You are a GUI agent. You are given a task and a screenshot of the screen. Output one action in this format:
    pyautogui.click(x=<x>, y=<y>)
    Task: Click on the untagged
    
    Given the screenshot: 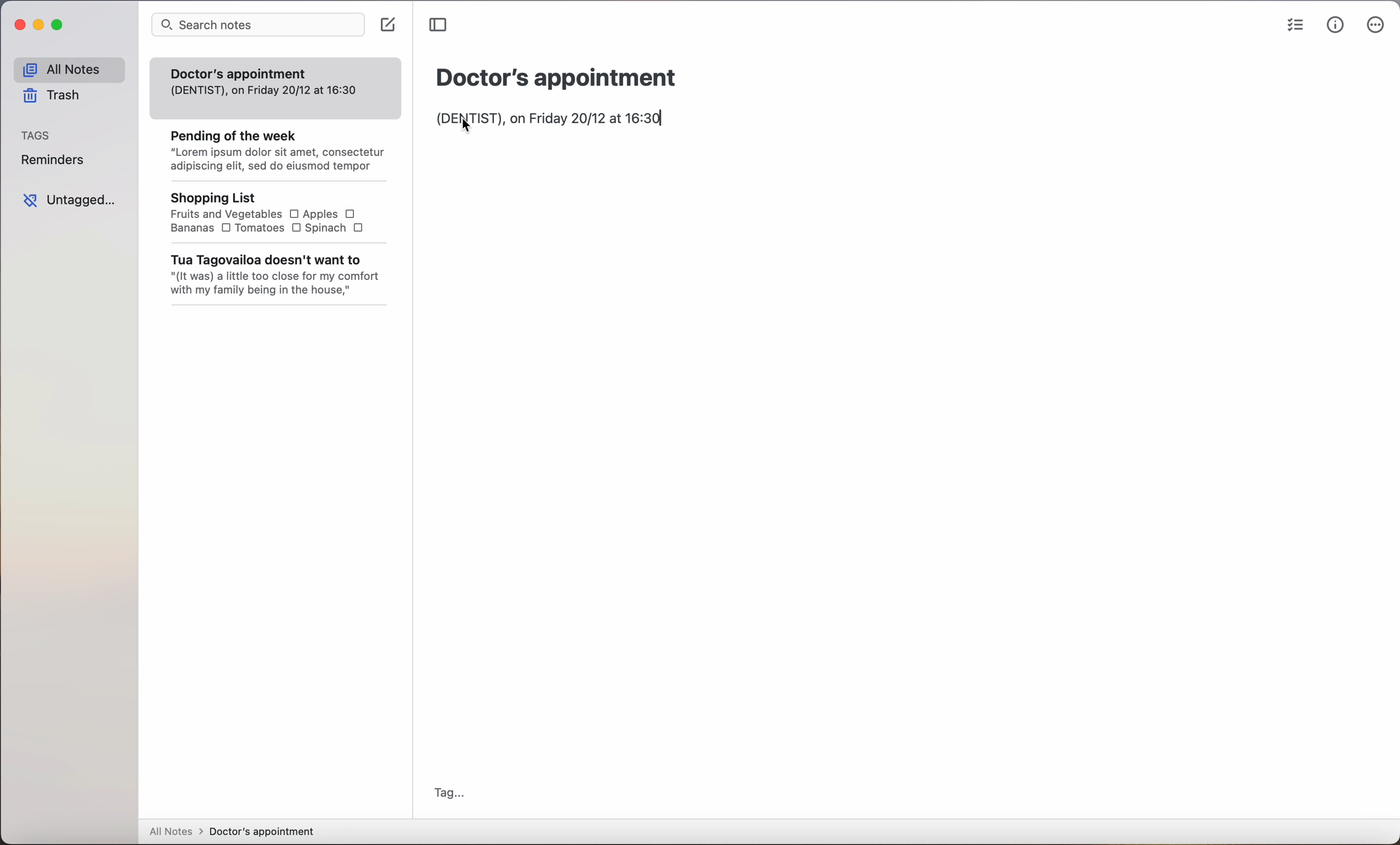 What is the action you would take?
    pyautogui.click(x=69, y=199)
    